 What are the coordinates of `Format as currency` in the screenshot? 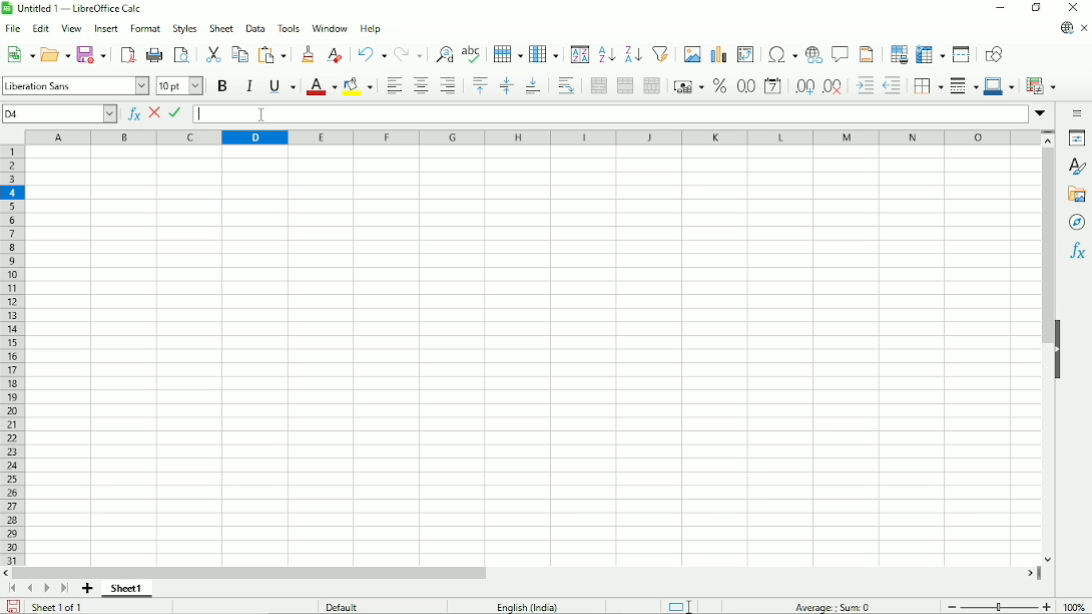 It's located at (689, 87).